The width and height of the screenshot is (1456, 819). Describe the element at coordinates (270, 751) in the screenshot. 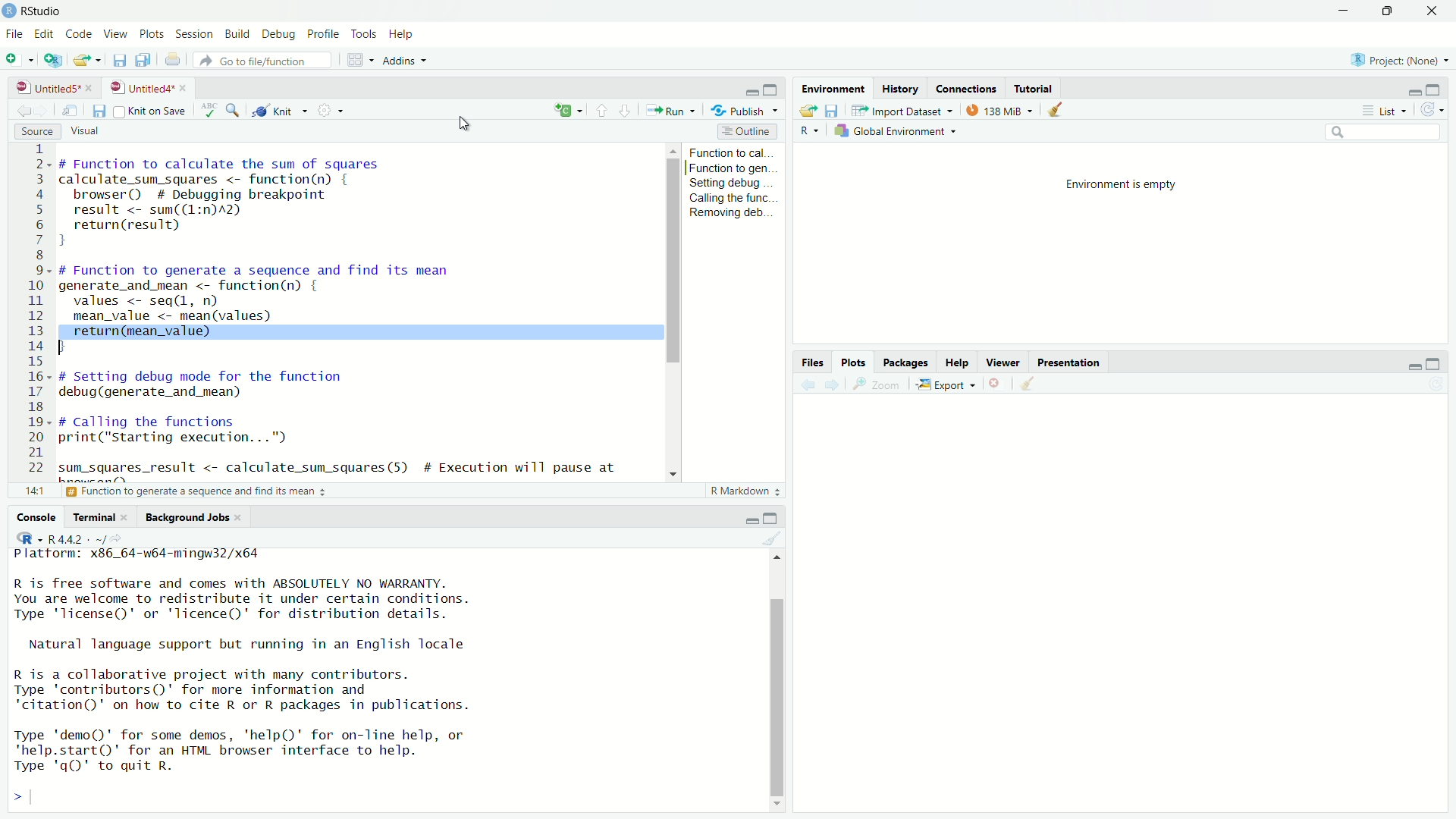

I see `Type 'demo()' for some demos, 'help()' for on-line help, or
'help.start()' for an HTML browser interface to help.
Type 'qgQ' to quit R.` at that location.